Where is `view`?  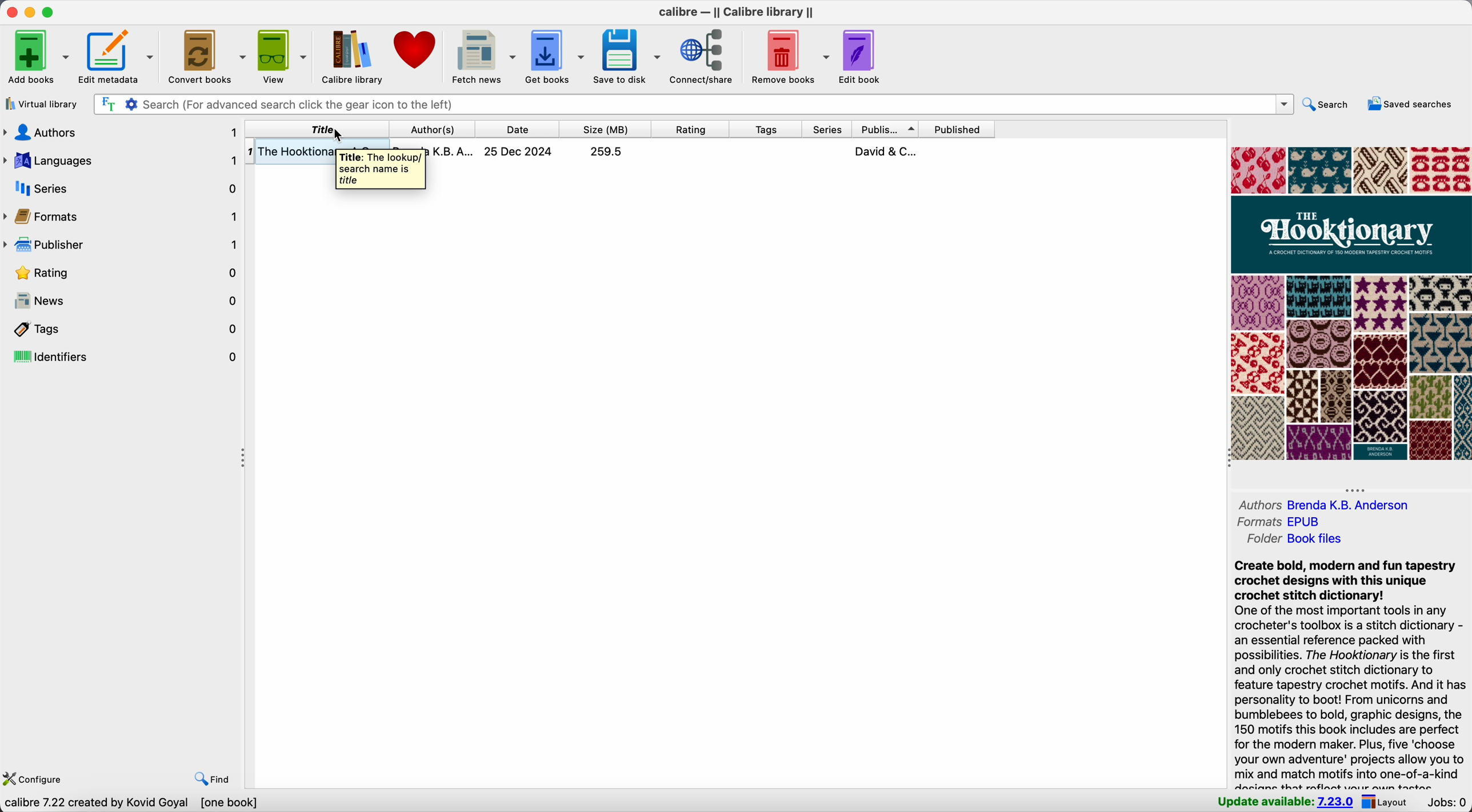
view is located at coordinates (281, 57).